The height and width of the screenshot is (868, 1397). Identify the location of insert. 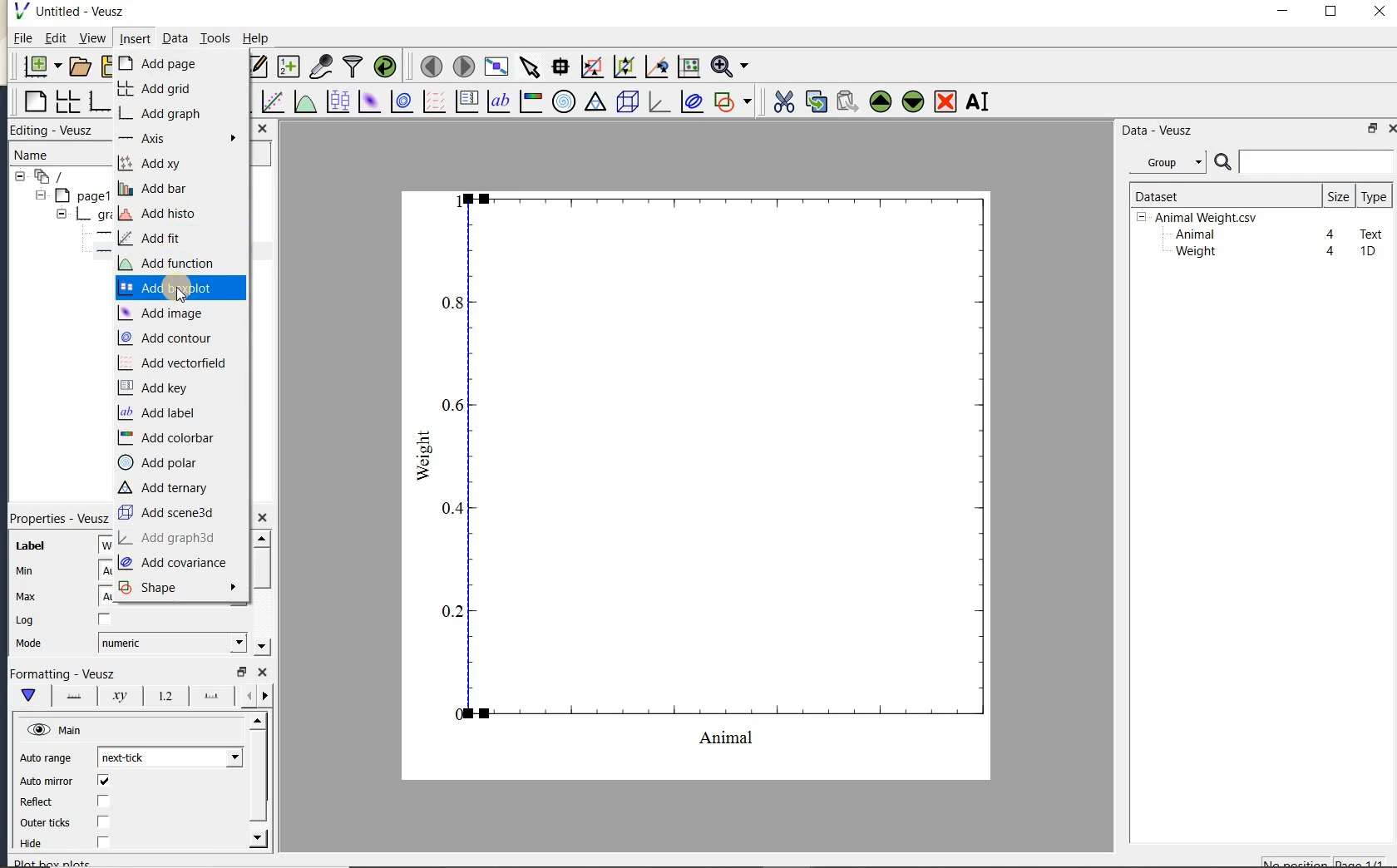
(134, 37).